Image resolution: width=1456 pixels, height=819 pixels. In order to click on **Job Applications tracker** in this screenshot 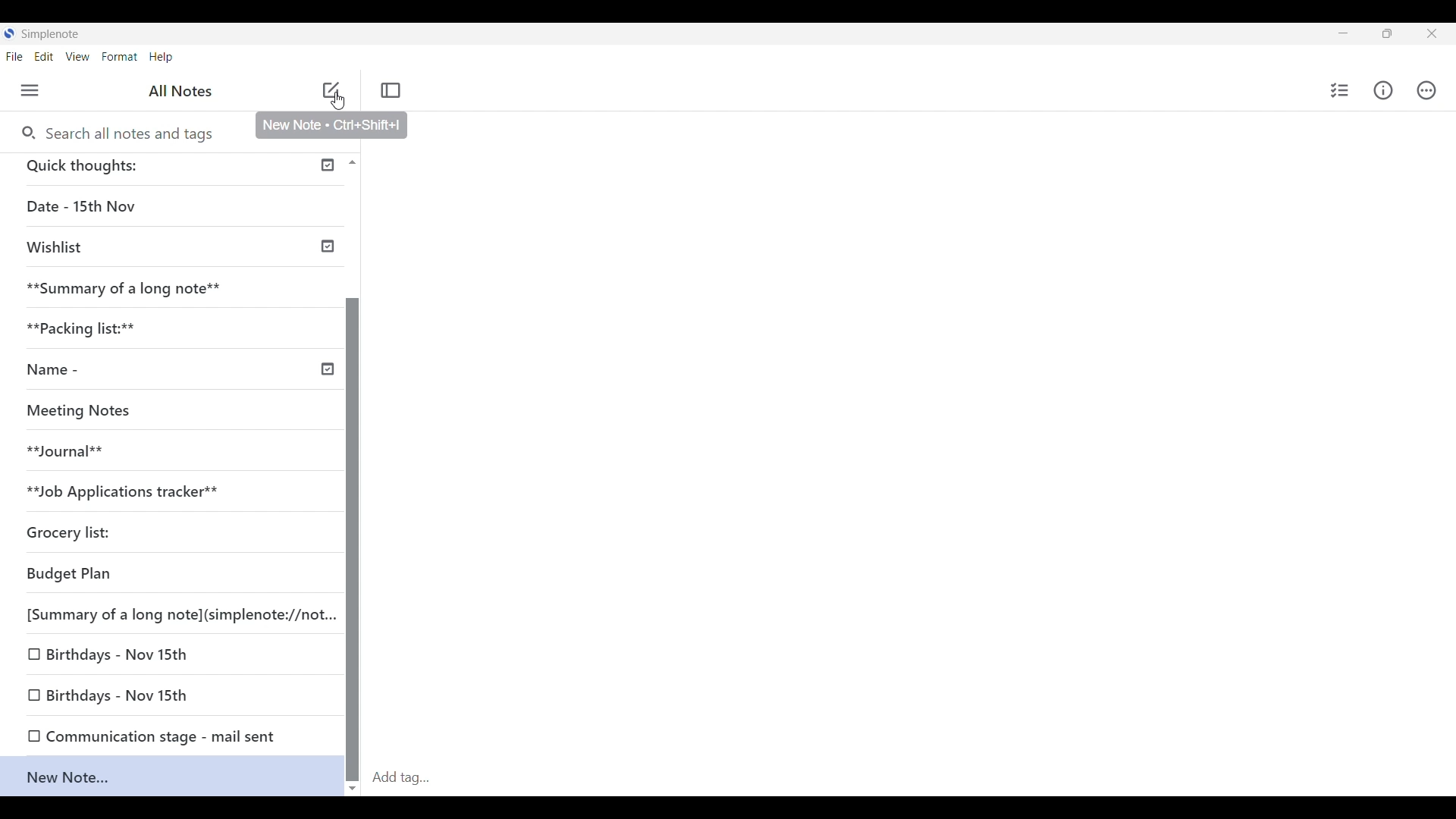, I will do `click(167, 491)`.